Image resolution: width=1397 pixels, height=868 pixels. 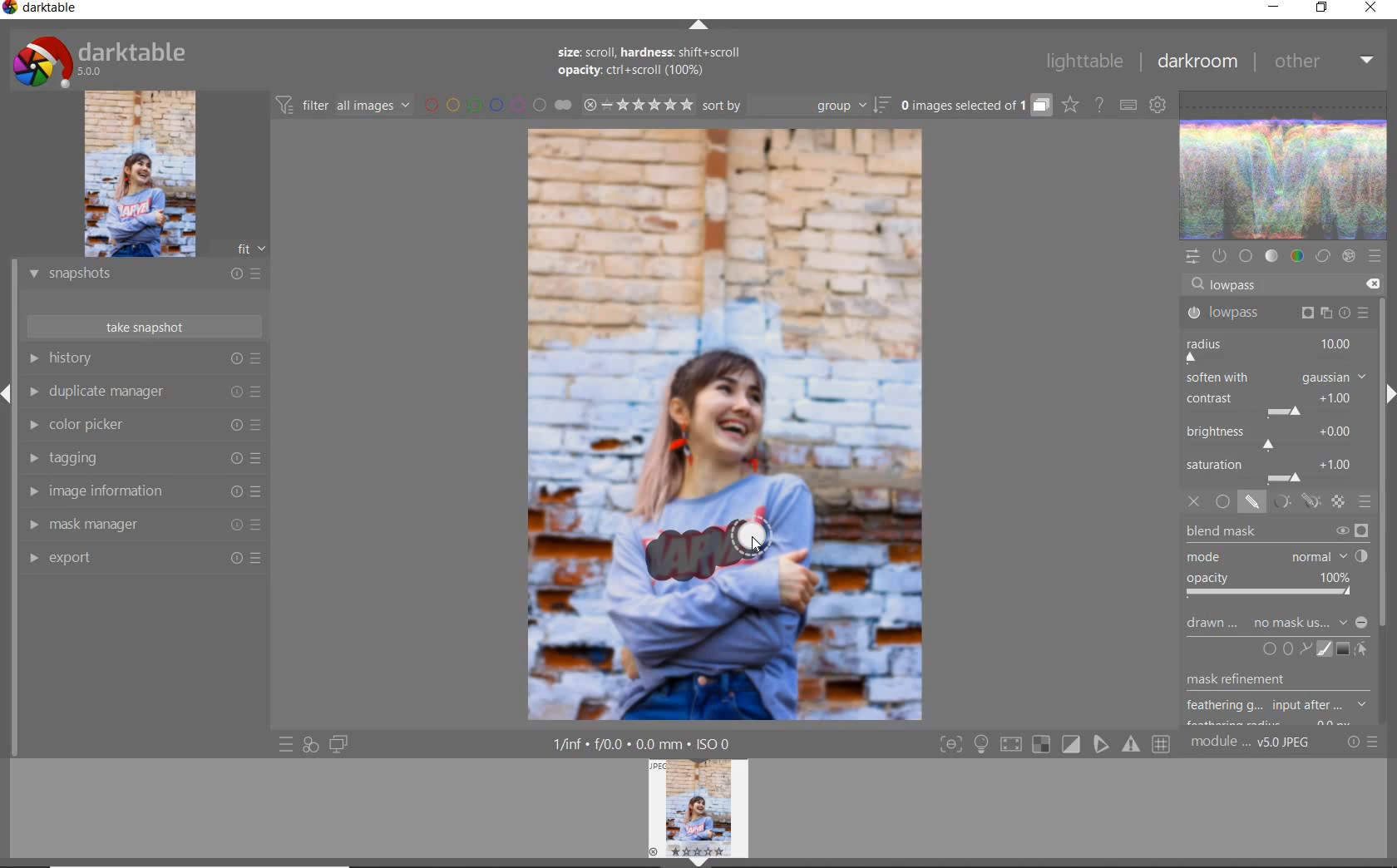 What do you see at coordinates (1293, 502) in the screenshot?
I see `mask options` at bounding box center [1293, 502].